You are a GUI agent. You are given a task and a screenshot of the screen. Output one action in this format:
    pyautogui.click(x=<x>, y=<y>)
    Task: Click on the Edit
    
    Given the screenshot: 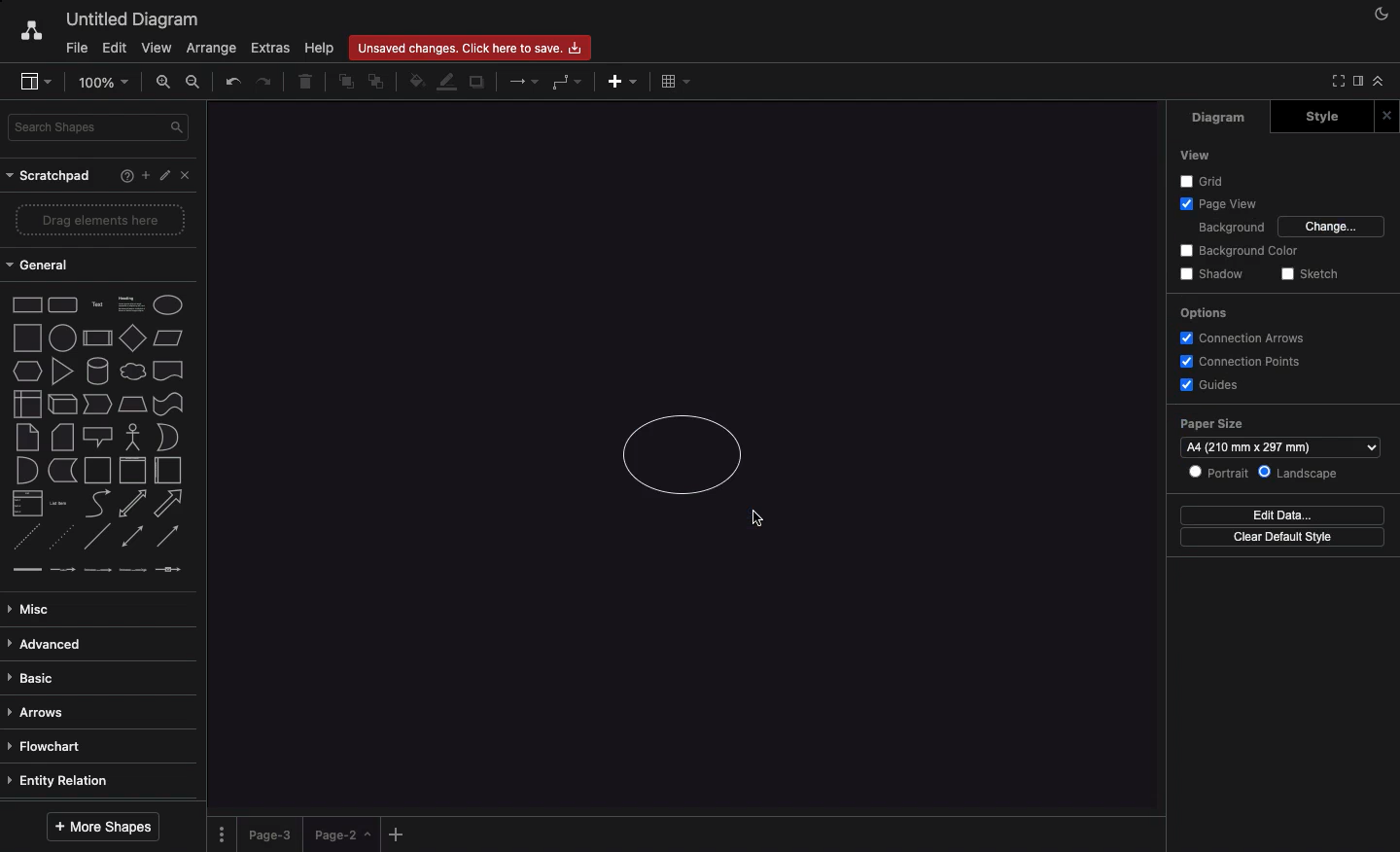 What is the action you would take?
    pyautogui.click(x=166, y=176)
    